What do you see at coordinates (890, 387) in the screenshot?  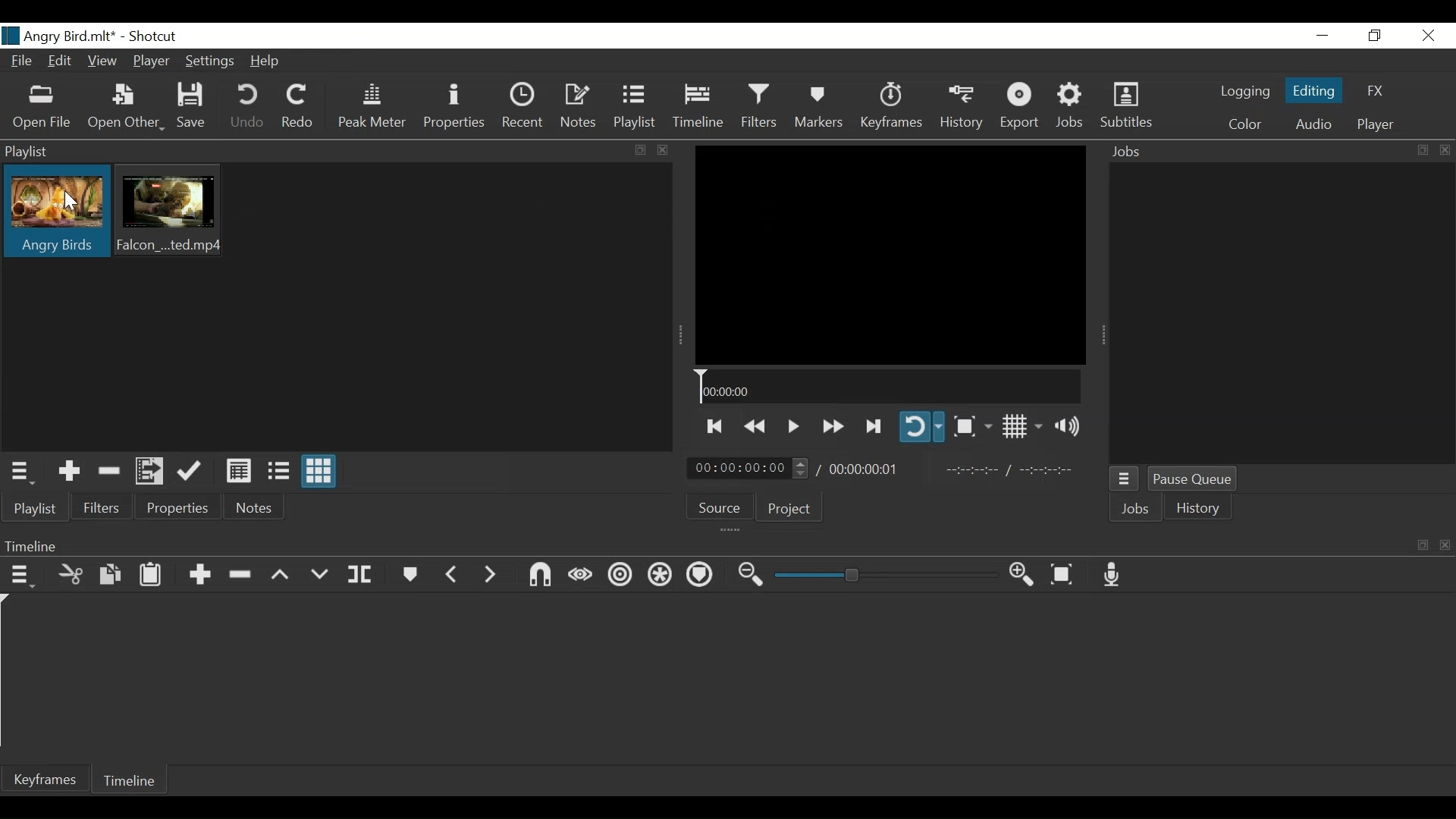 I see `Timeline` at bounding box center [890, 387].